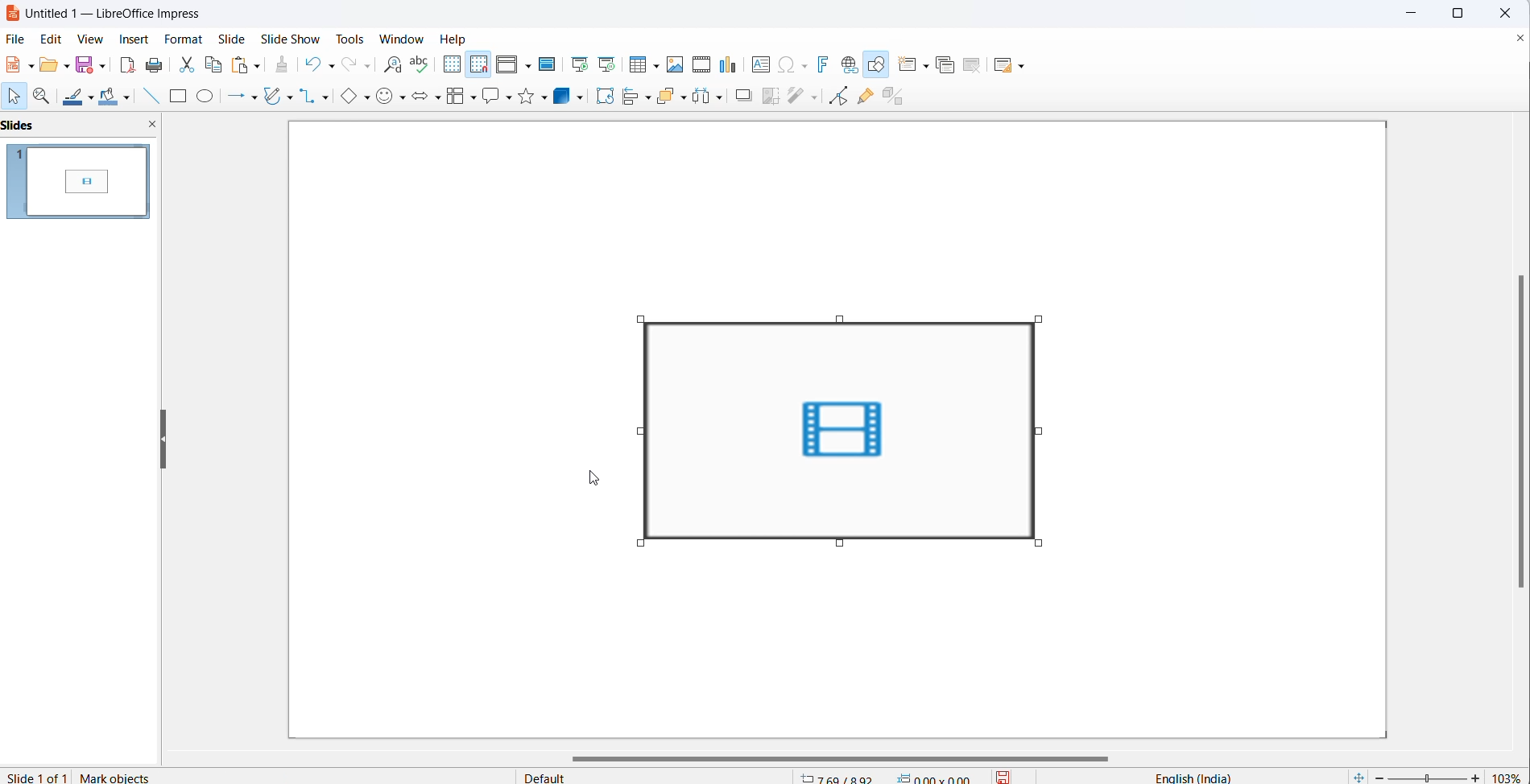 Image resolution: width=1530 pixels, height=784 pixels. Describe the element at coordinates (93, 38) in the screenshot. I see `view` at that location.